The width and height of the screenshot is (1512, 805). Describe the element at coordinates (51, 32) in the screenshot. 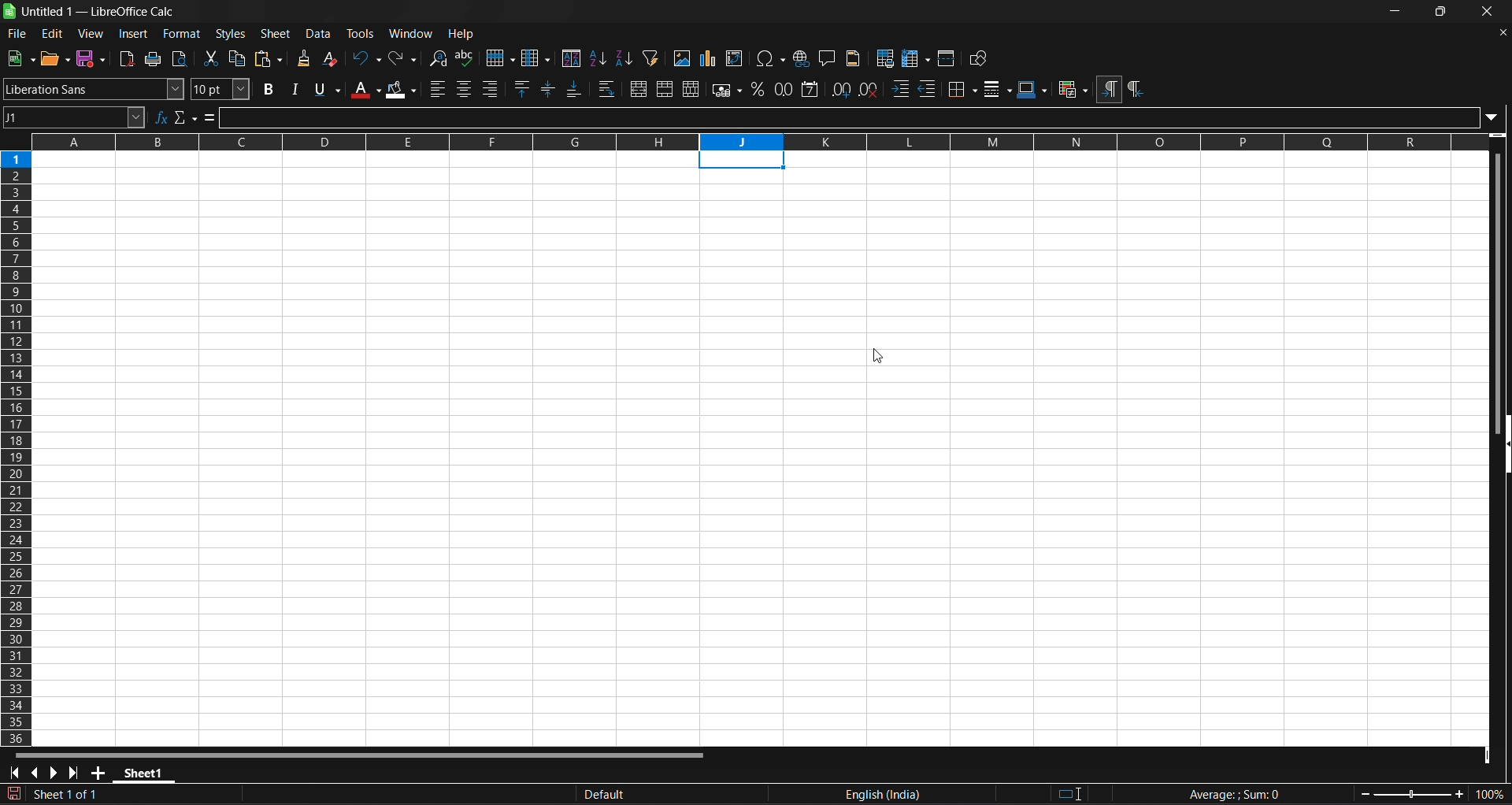

I see `edit` at that location.